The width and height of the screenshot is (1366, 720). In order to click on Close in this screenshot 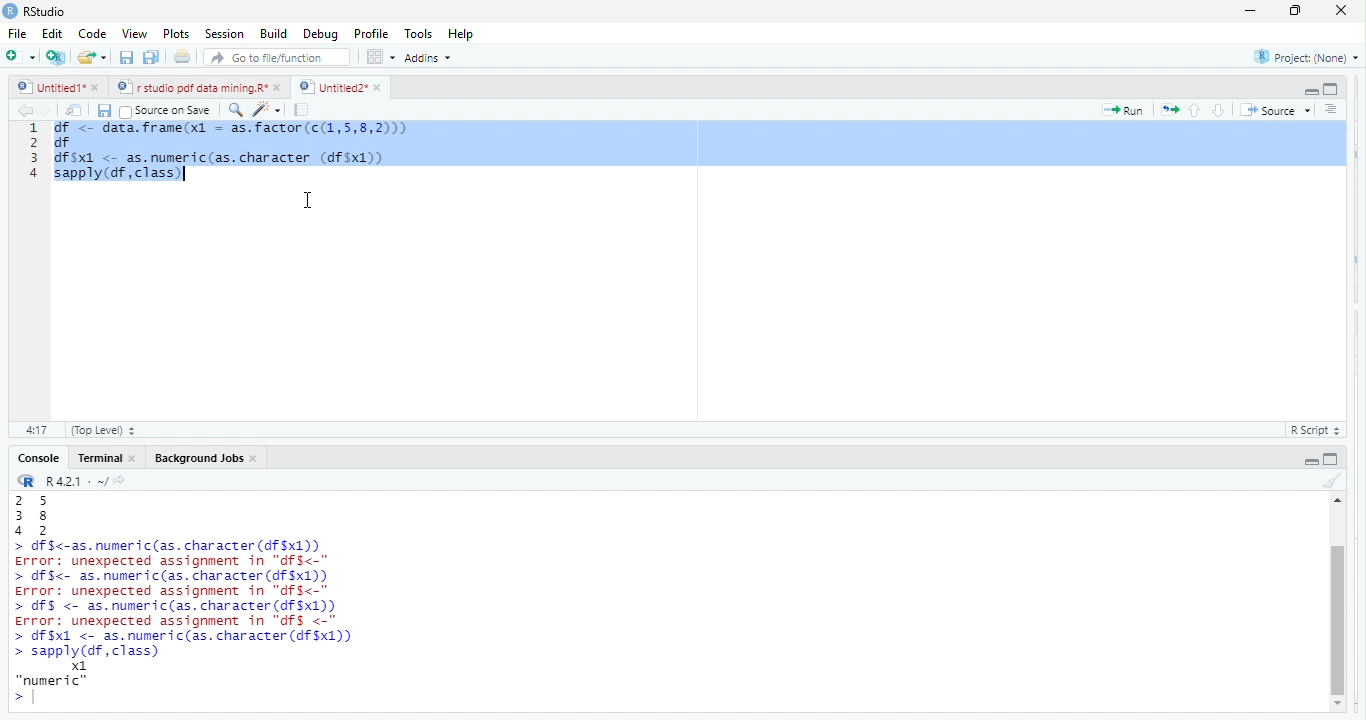, I will do `click(1337, 11)`.